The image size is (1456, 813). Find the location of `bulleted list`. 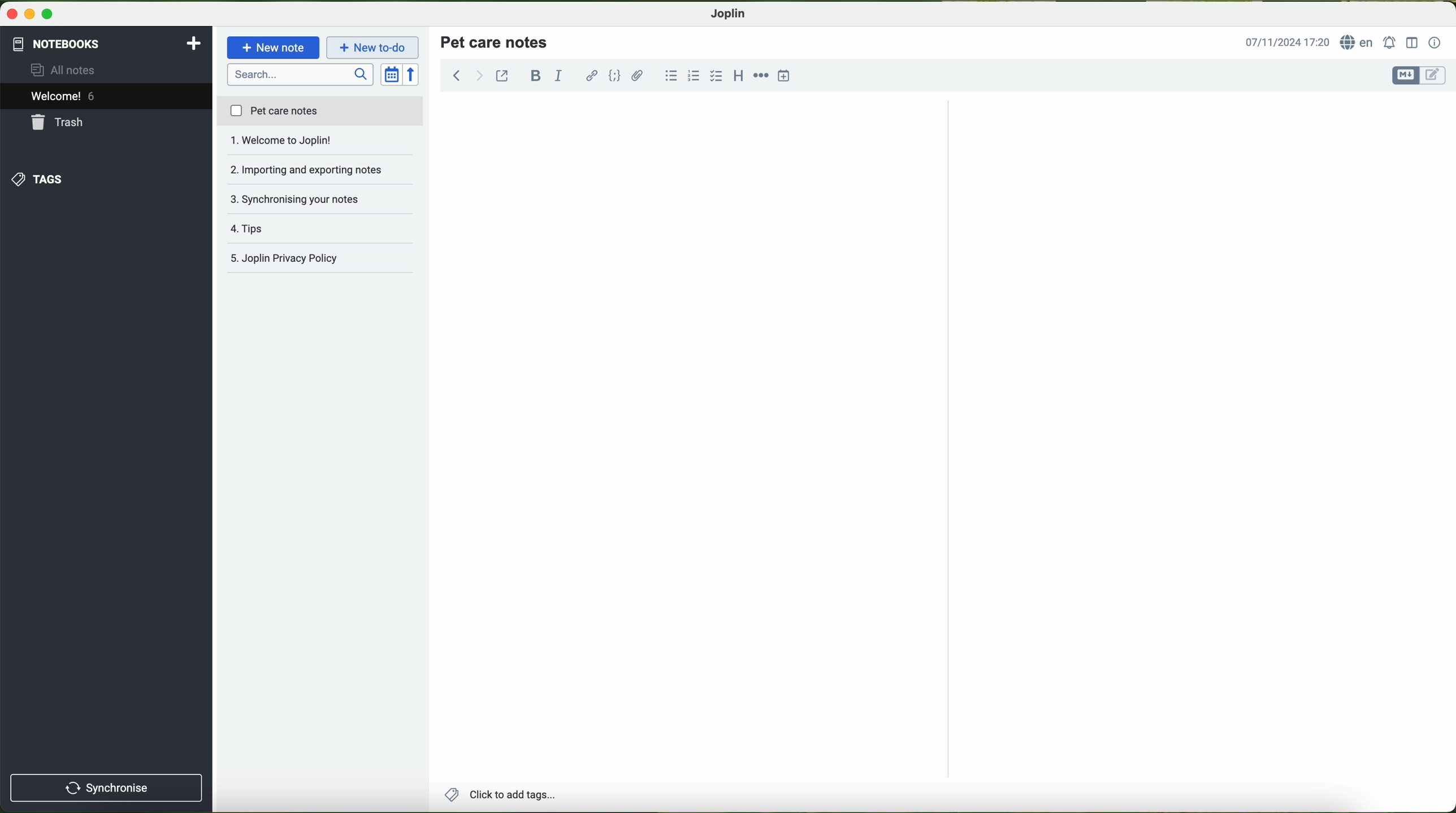

bulleted list is located at coordinates (669, 76).